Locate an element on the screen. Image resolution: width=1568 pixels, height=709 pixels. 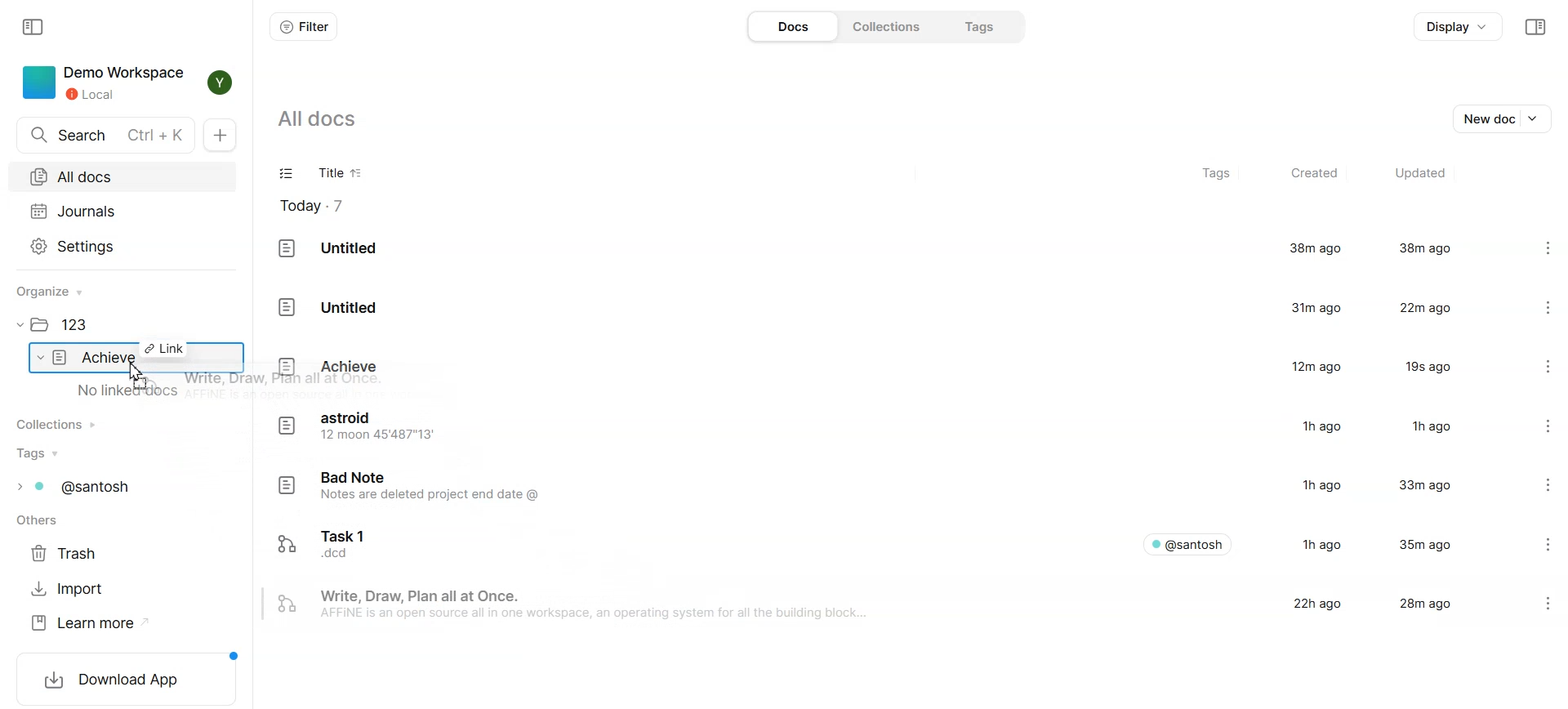
Title is located at coordinates (326, 175).